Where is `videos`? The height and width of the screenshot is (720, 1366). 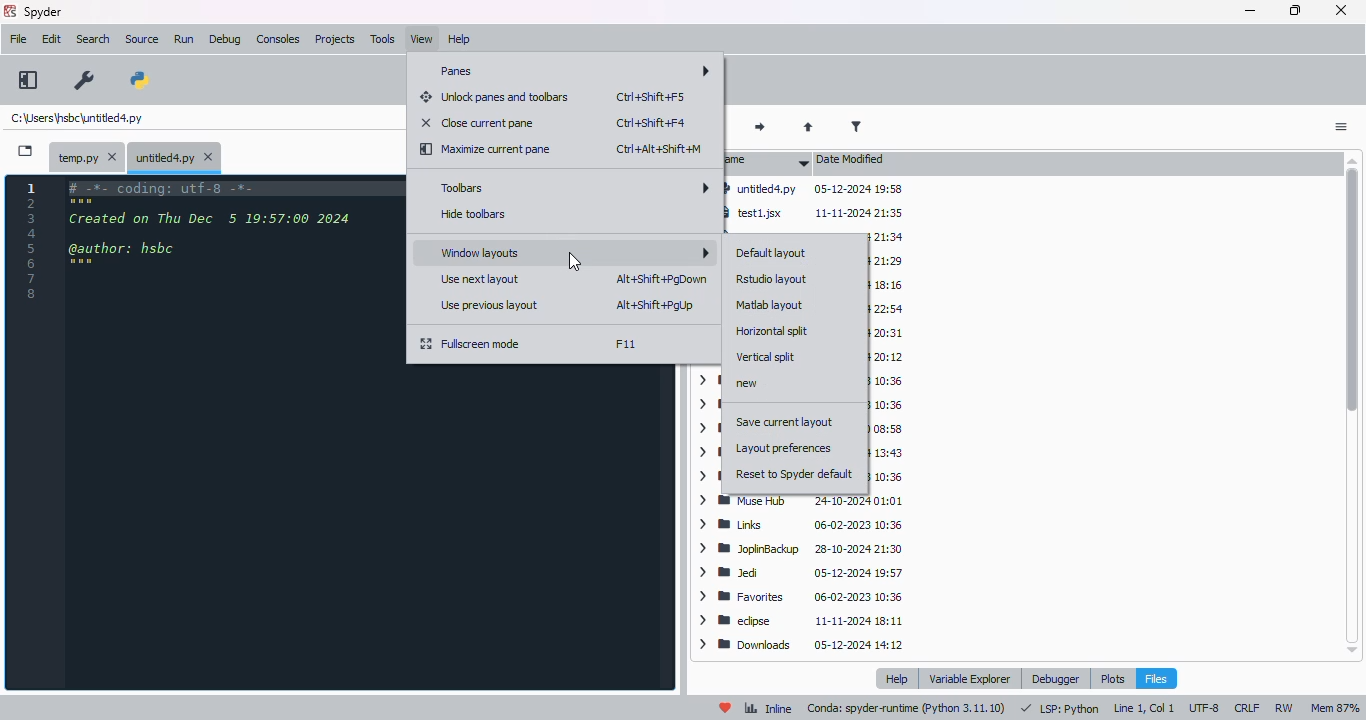
videos is located at coordinates (885, 309).